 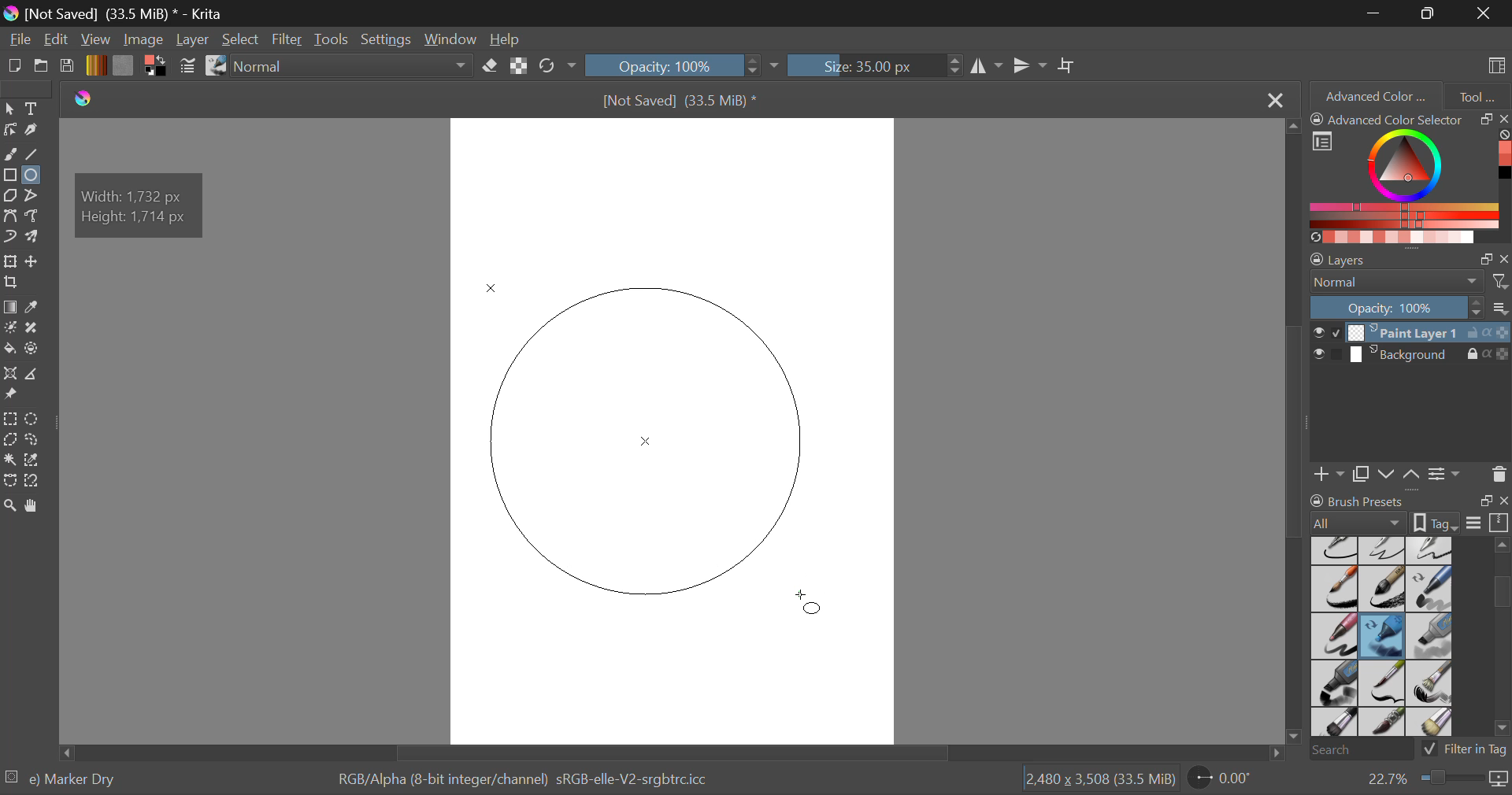 What do you see at coordinates (9, 309) in the screenshot?
I see `Gradient Fill` at bounding box center [9, 309].